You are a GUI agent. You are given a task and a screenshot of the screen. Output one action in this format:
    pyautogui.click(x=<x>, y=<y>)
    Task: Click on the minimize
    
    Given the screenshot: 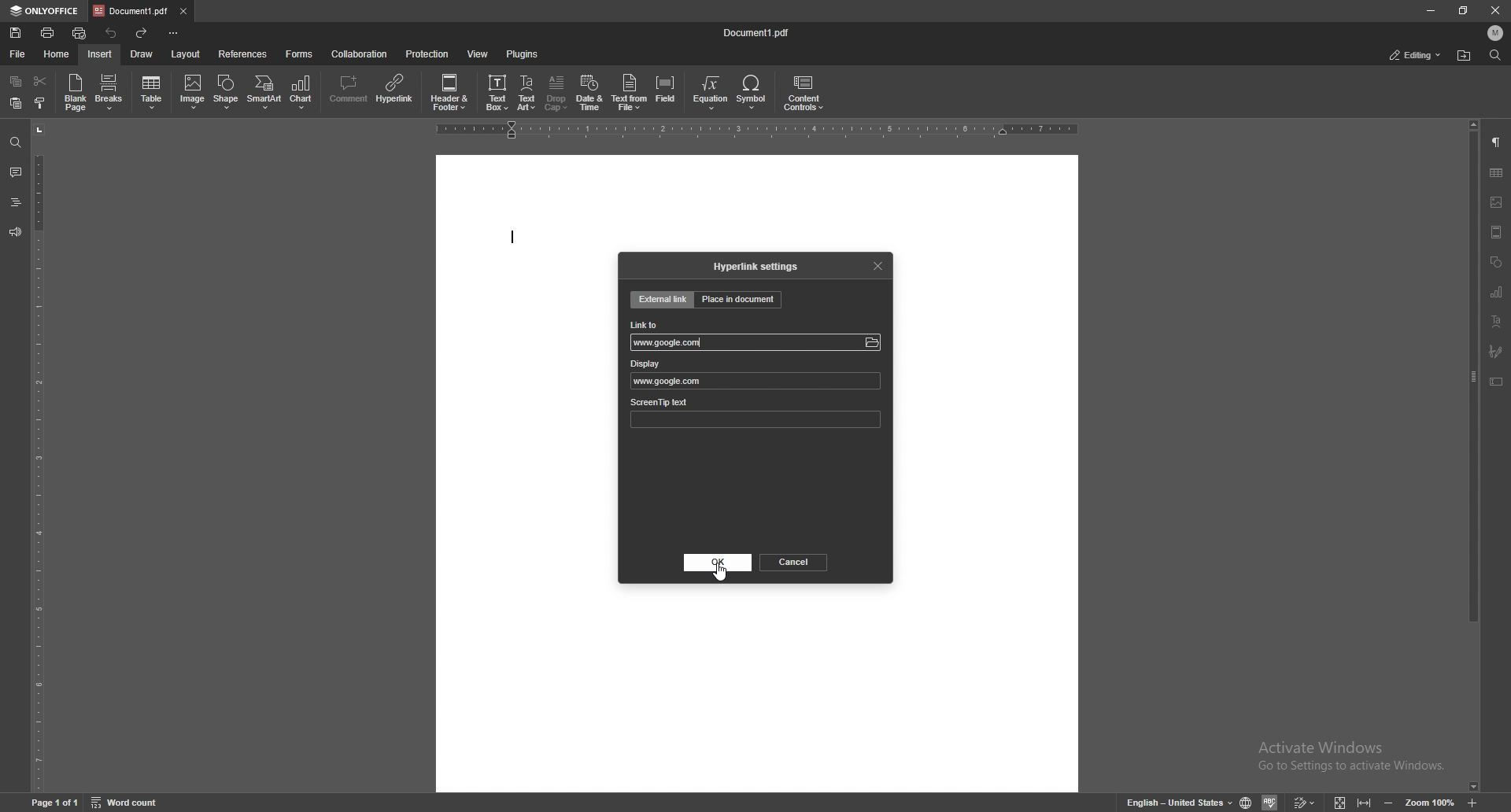 What is the action you would take?
    pyautogui.click(x=1431, y=9)
    